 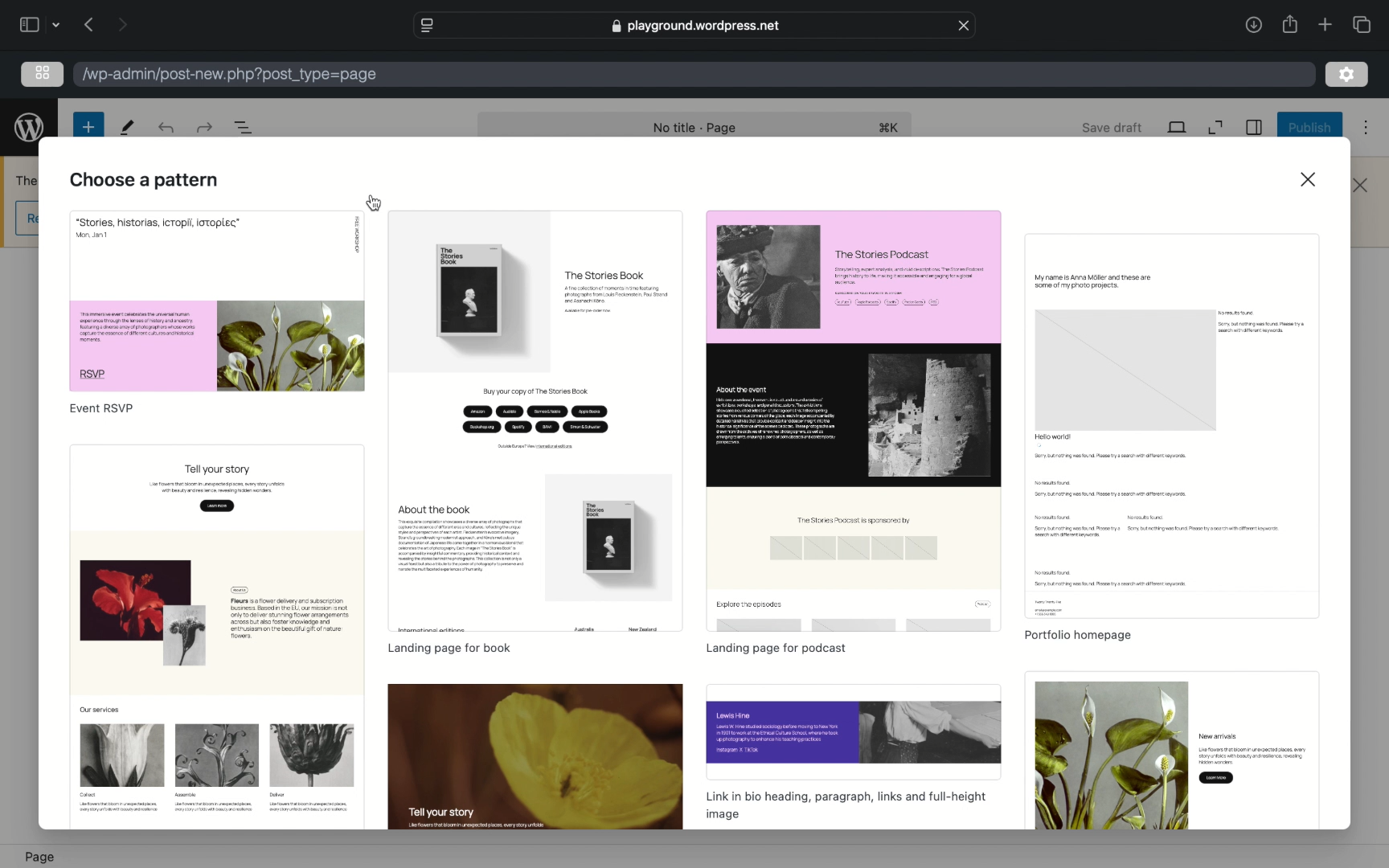 What do you see at coordinates (1361, 186) in the screenshot?
I see `close` at bounding box center [1361, 186].